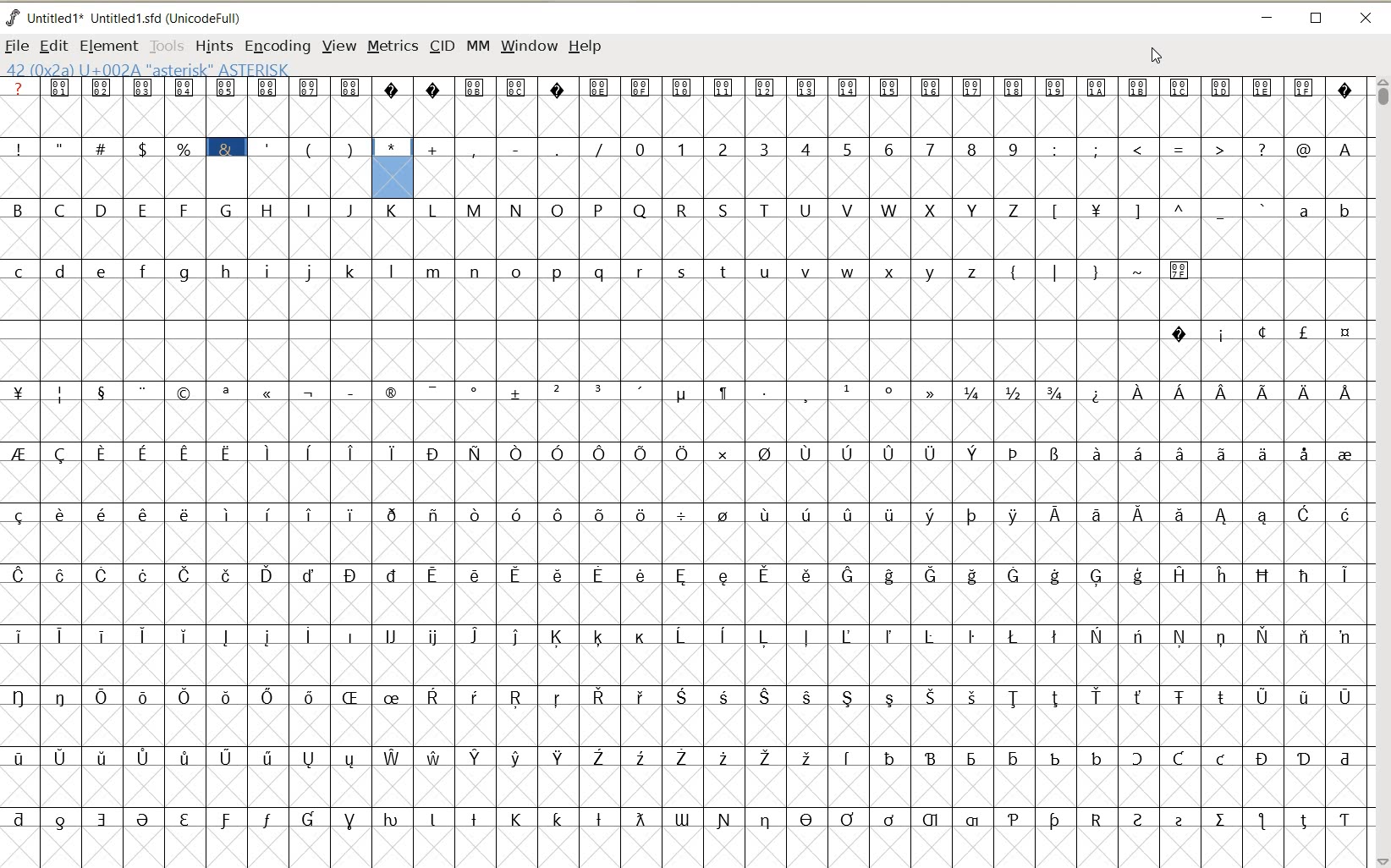 This screenshot has width=1391, height=868. I want to click on VIEW, so click(339, 47).